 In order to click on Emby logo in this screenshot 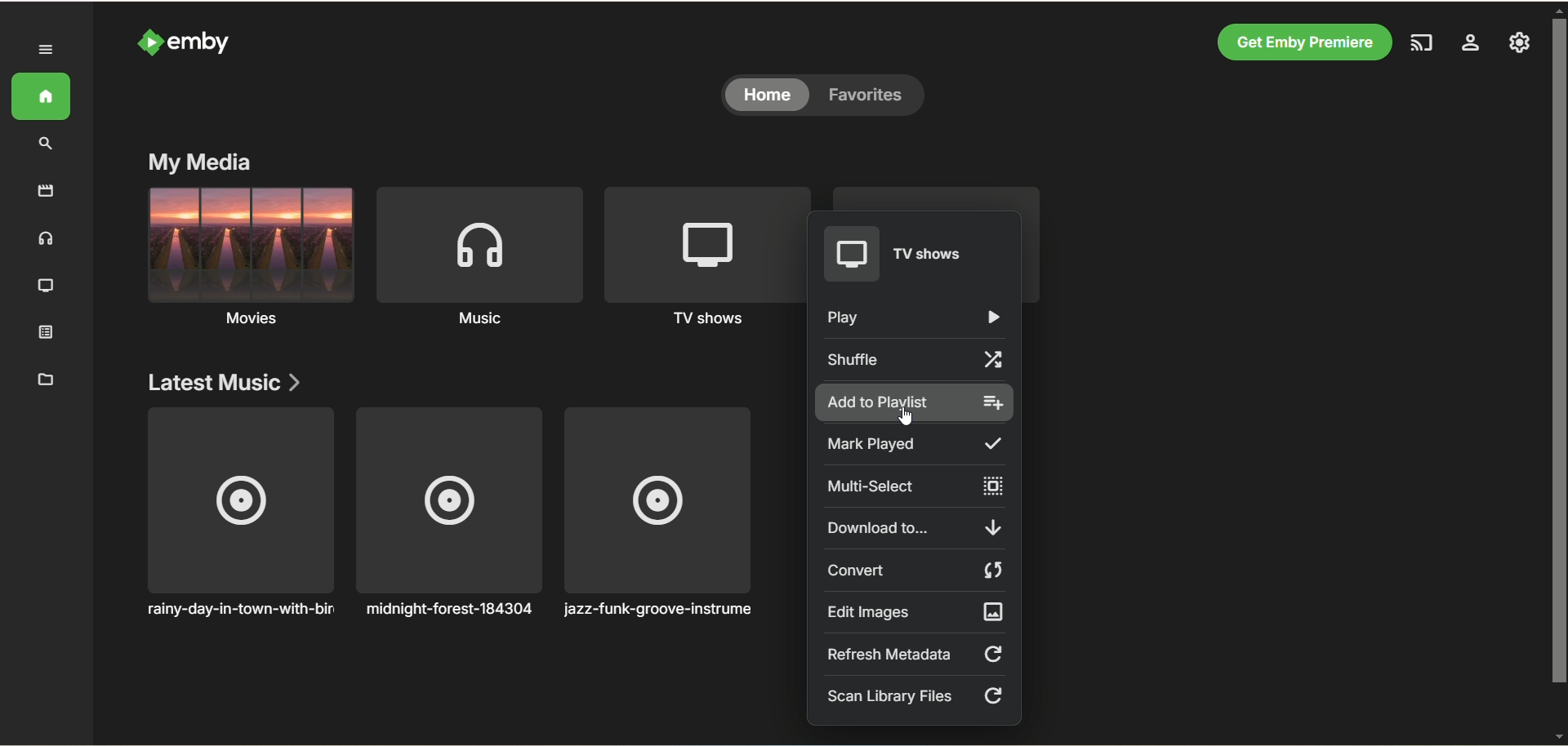, I will do `click(149, 42)`.